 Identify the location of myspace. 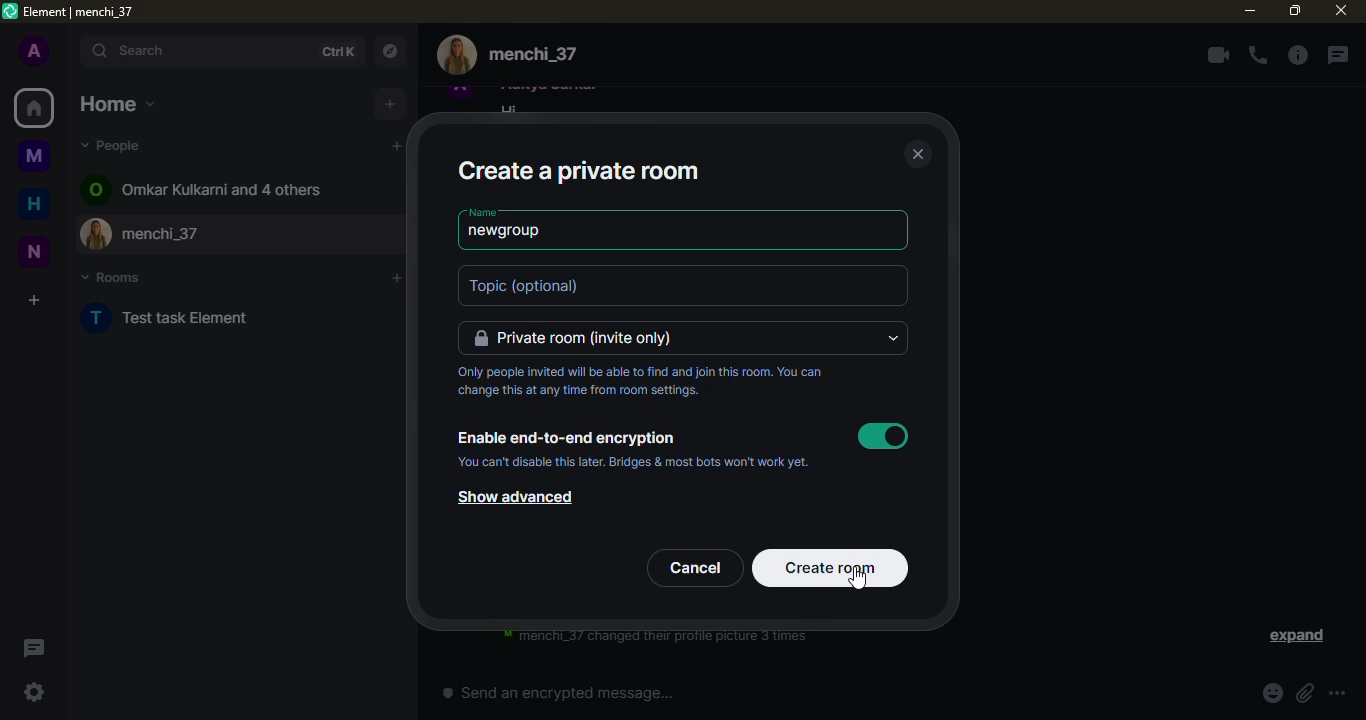
(34, 155).